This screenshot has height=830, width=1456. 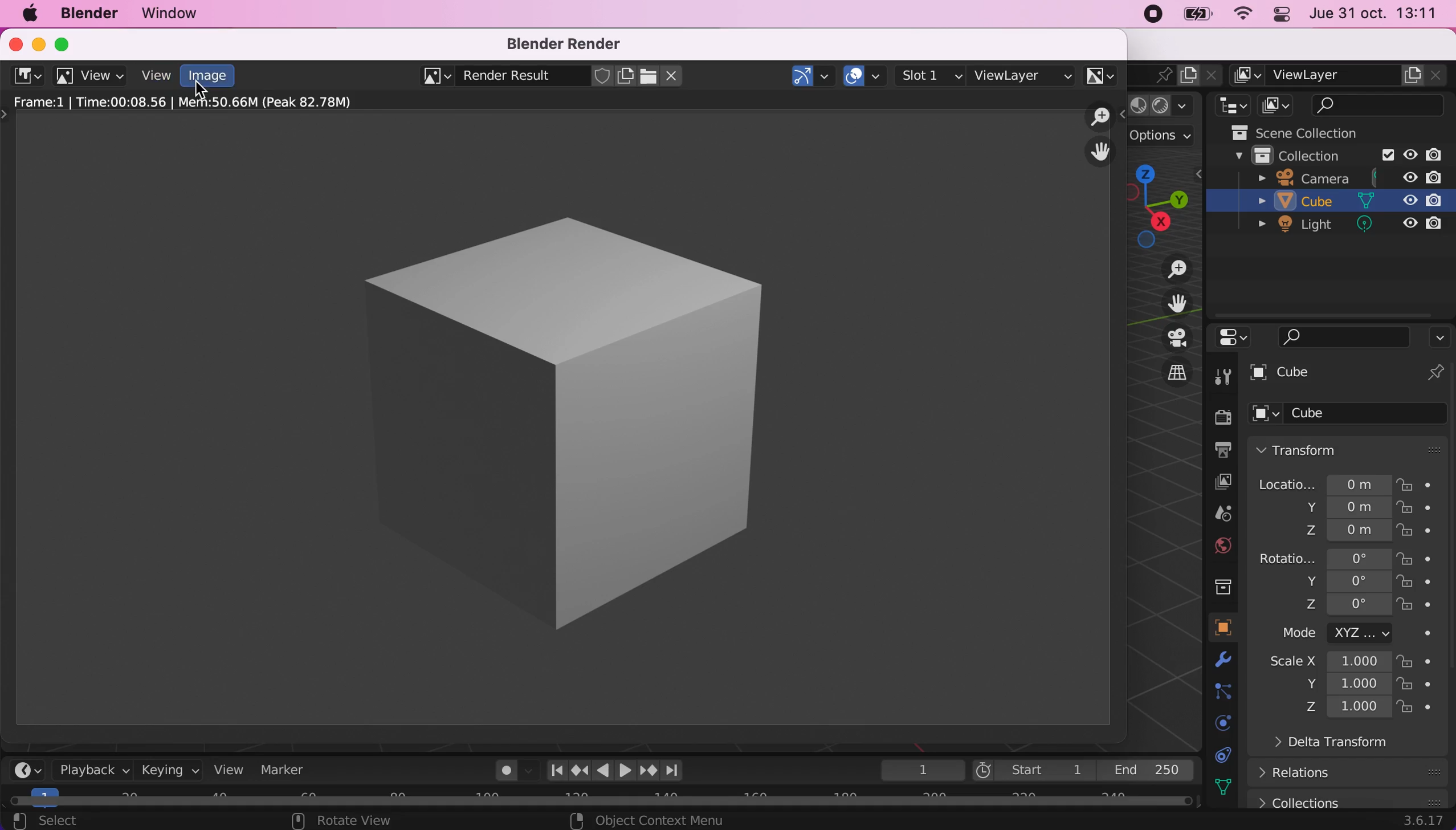 What do you see at coordinates (607, 798) in the screenshot?
I see `horizontal scroll bar` at bounding box center [607, 798].